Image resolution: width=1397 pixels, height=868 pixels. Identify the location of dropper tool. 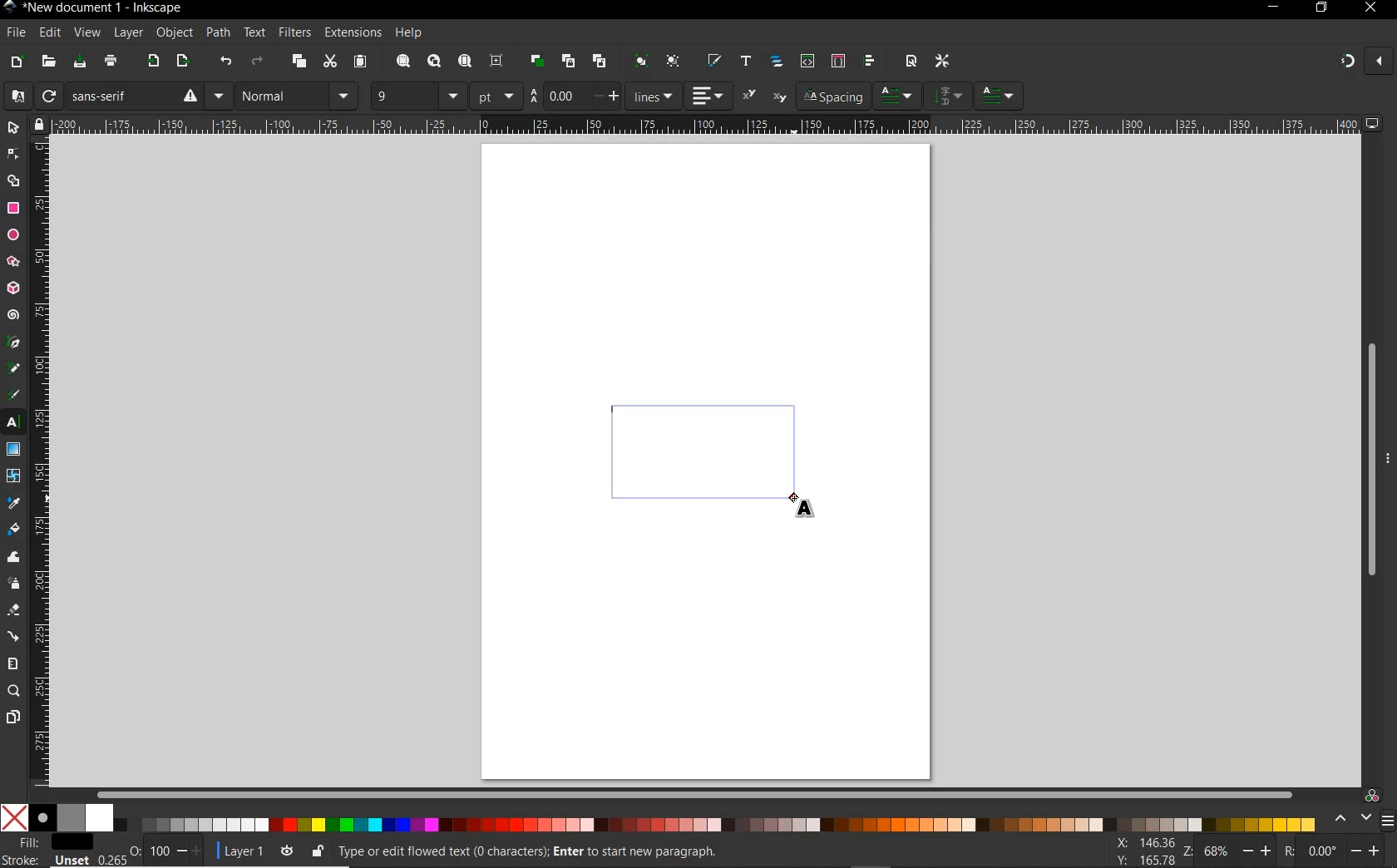
(14, 504).